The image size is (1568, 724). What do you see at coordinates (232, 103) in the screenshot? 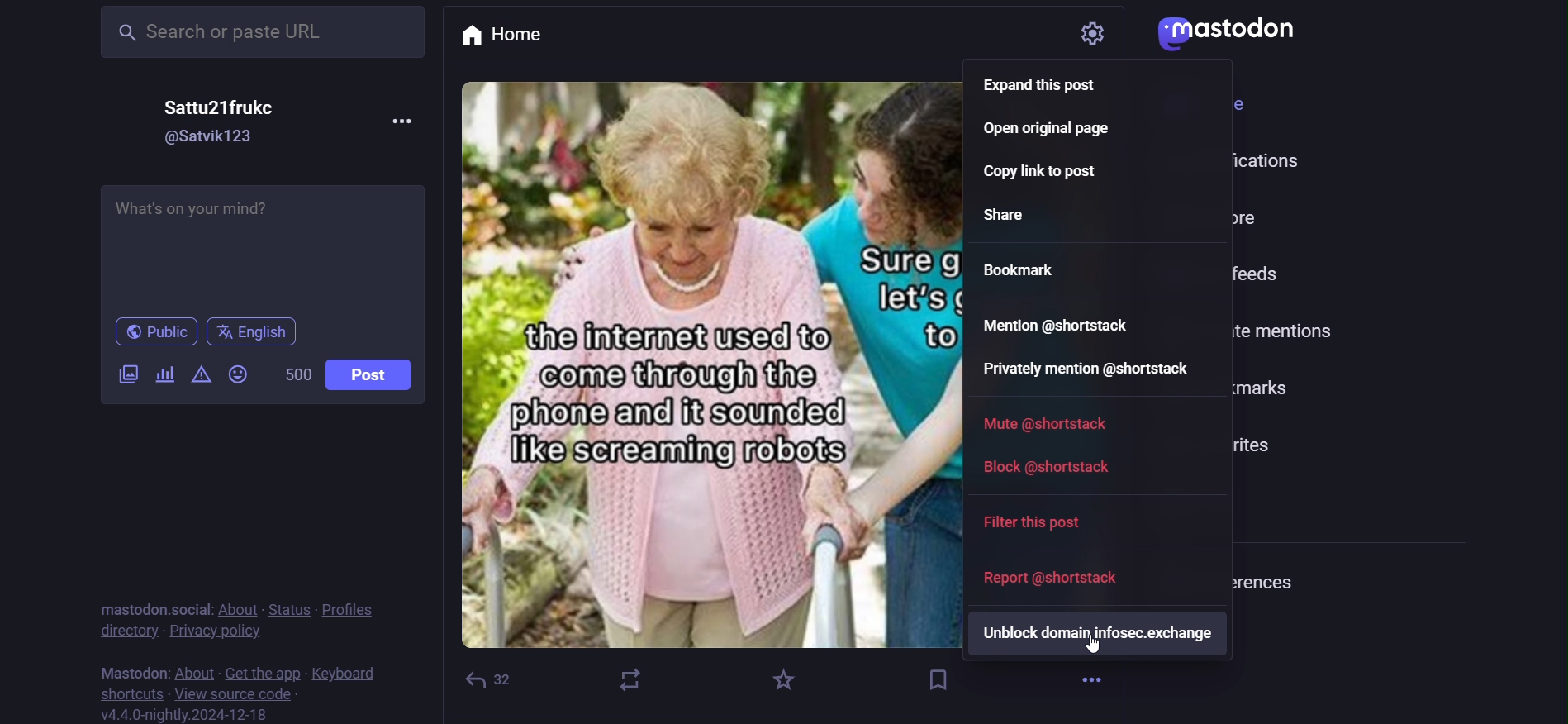
I see `sattu21frukc` at bounding box center [232, 103].